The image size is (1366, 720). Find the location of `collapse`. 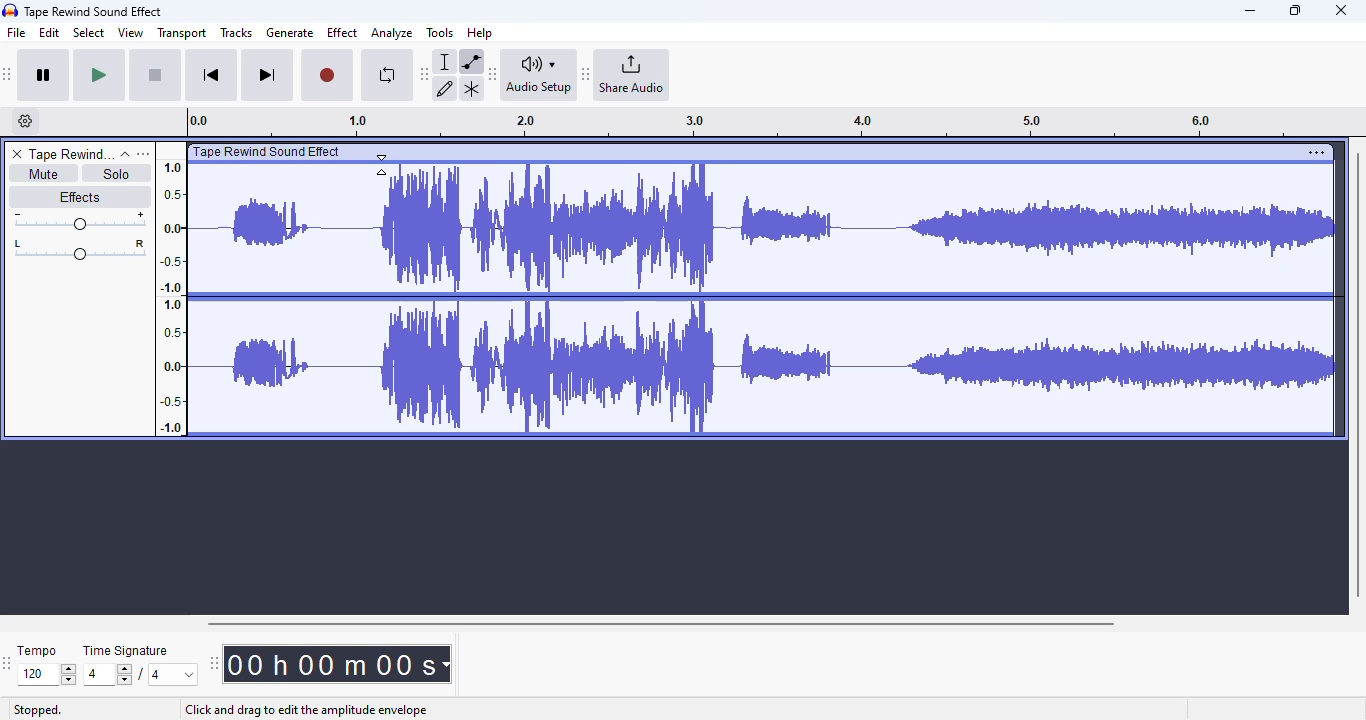

collapse is located at coordinates (125, 154).